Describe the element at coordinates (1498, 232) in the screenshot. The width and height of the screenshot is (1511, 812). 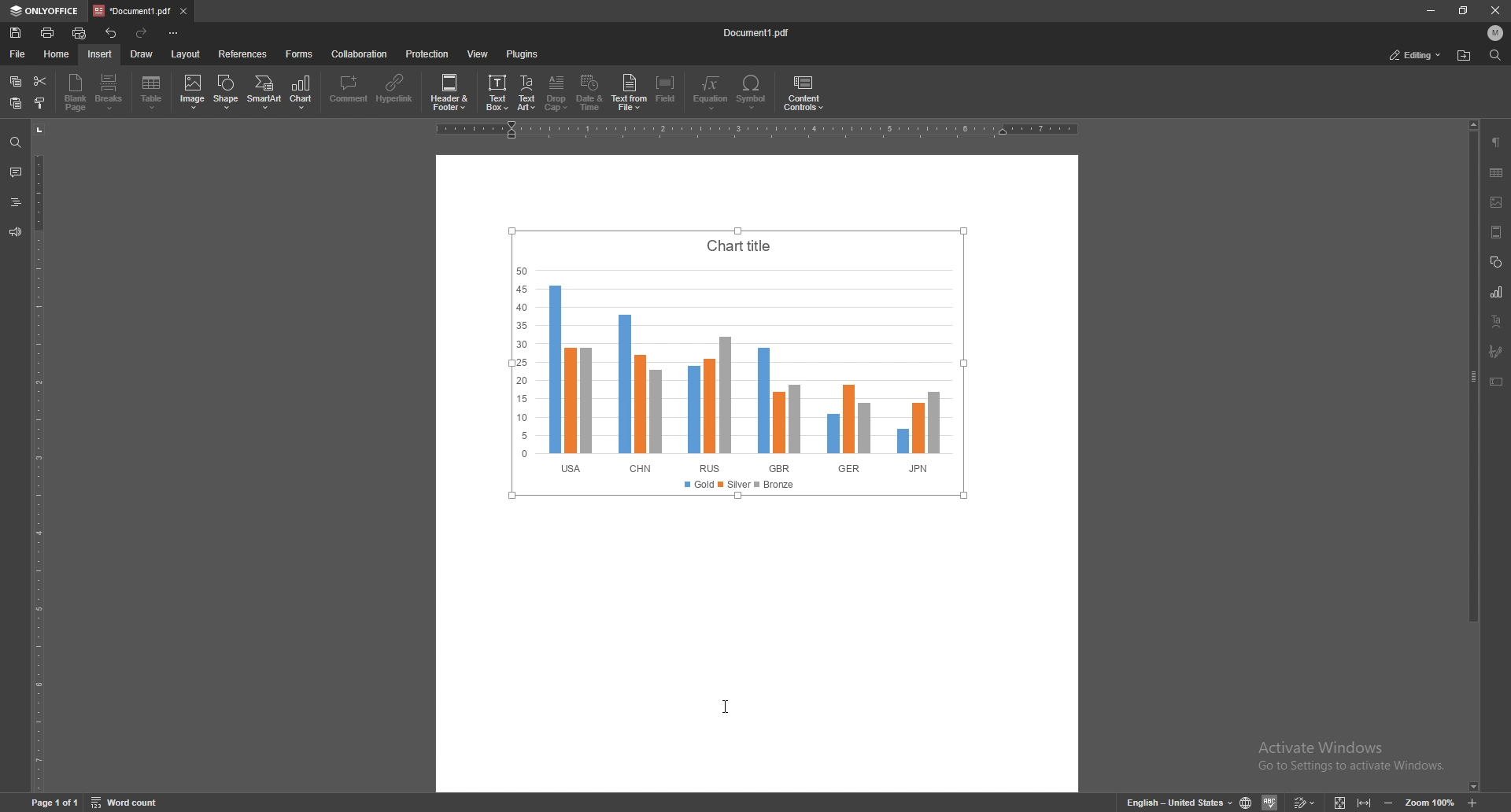
I see `header/footer` at that location.